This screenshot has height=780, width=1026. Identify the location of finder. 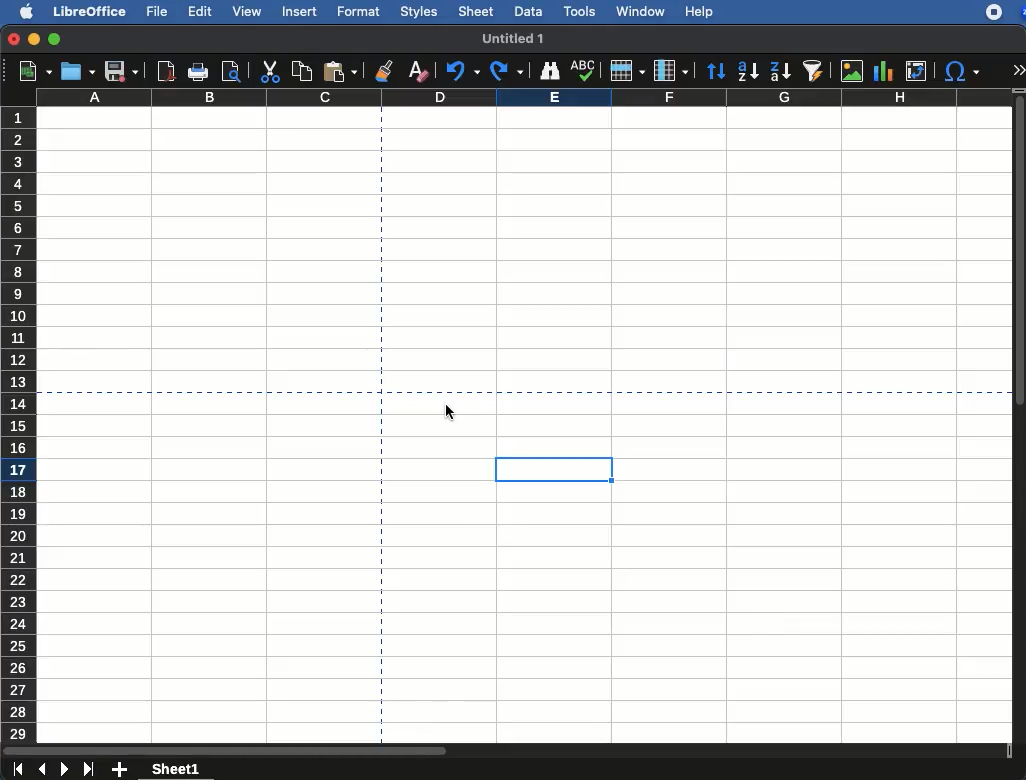
(551, 71).